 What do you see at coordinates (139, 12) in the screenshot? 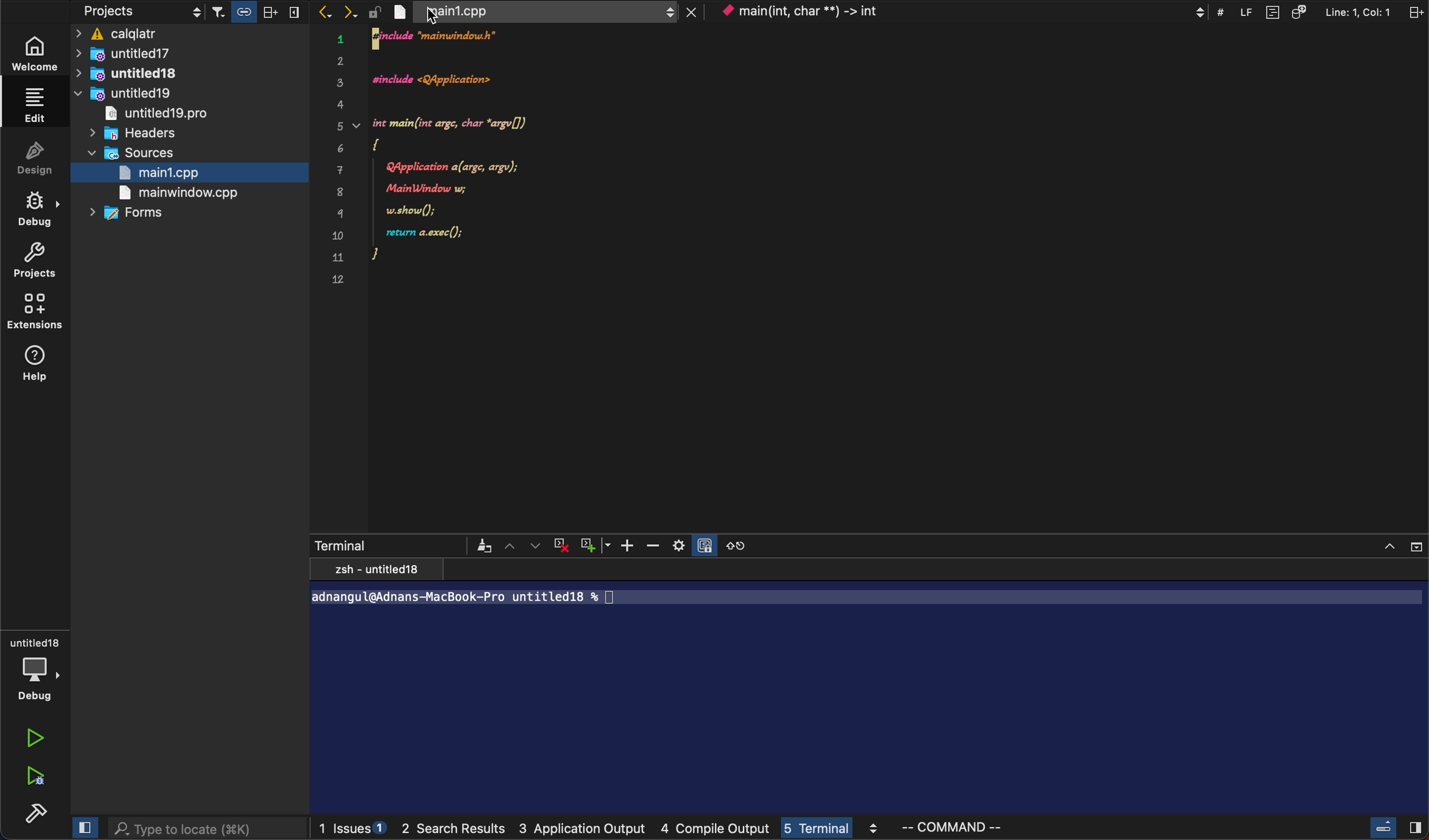
I see `projects` at bounding box center [139, 12].